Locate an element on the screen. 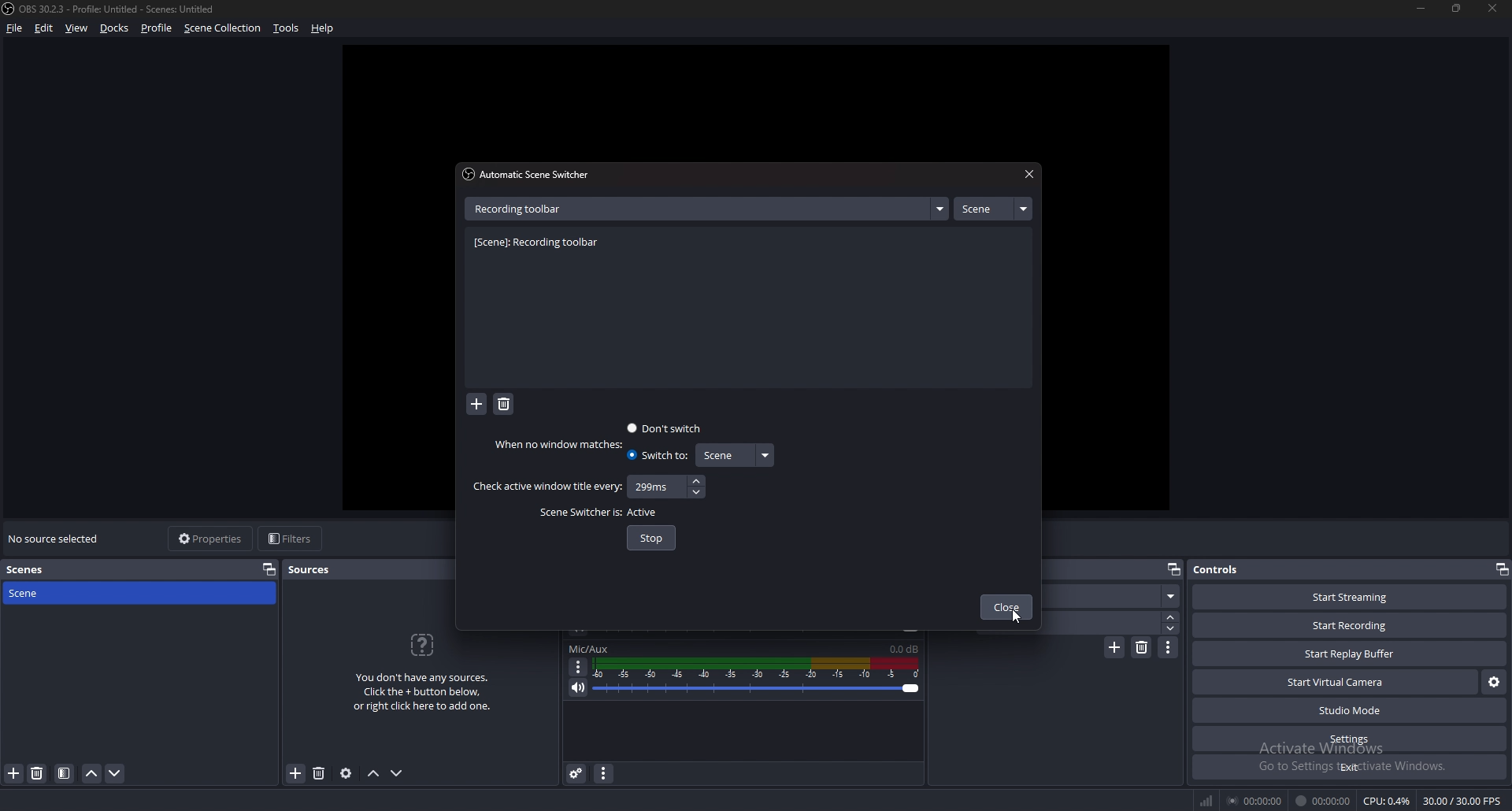  transition properties is located at coordinates (1169, 647).